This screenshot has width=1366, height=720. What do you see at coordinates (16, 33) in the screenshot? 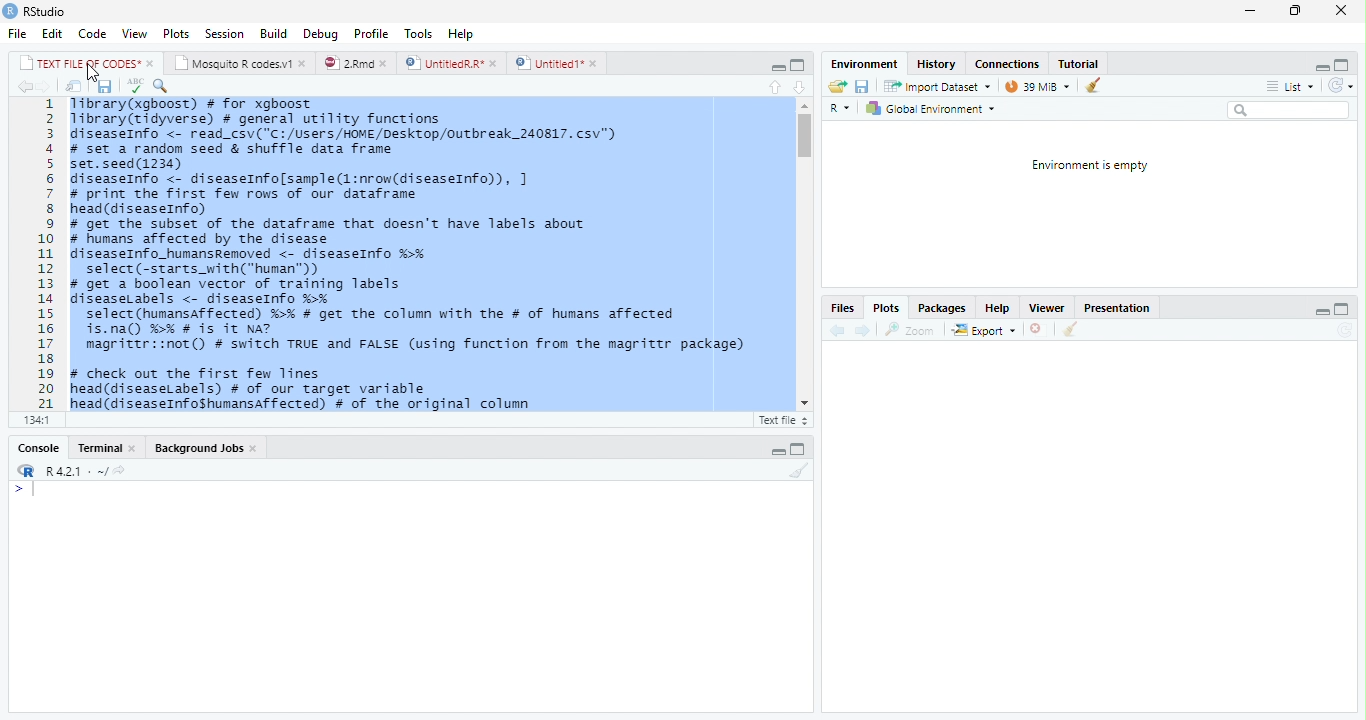
I see `File` at bounding box center [16, 33].